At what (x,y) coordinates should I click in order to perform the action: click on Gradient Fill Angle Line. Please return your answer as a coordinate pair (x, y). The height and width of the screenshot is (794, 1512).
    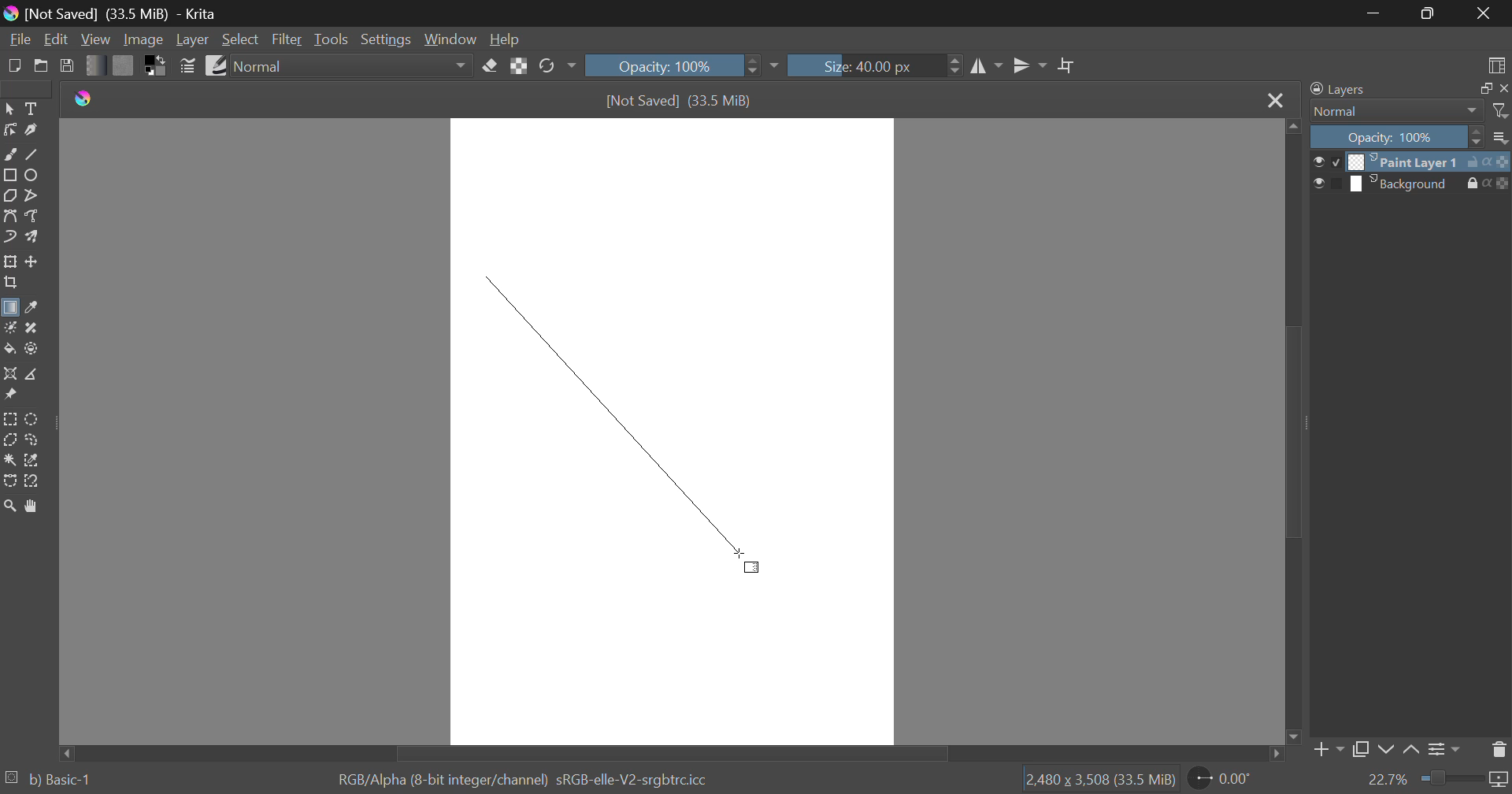
    Looking at the image, I should click on (606, 406).